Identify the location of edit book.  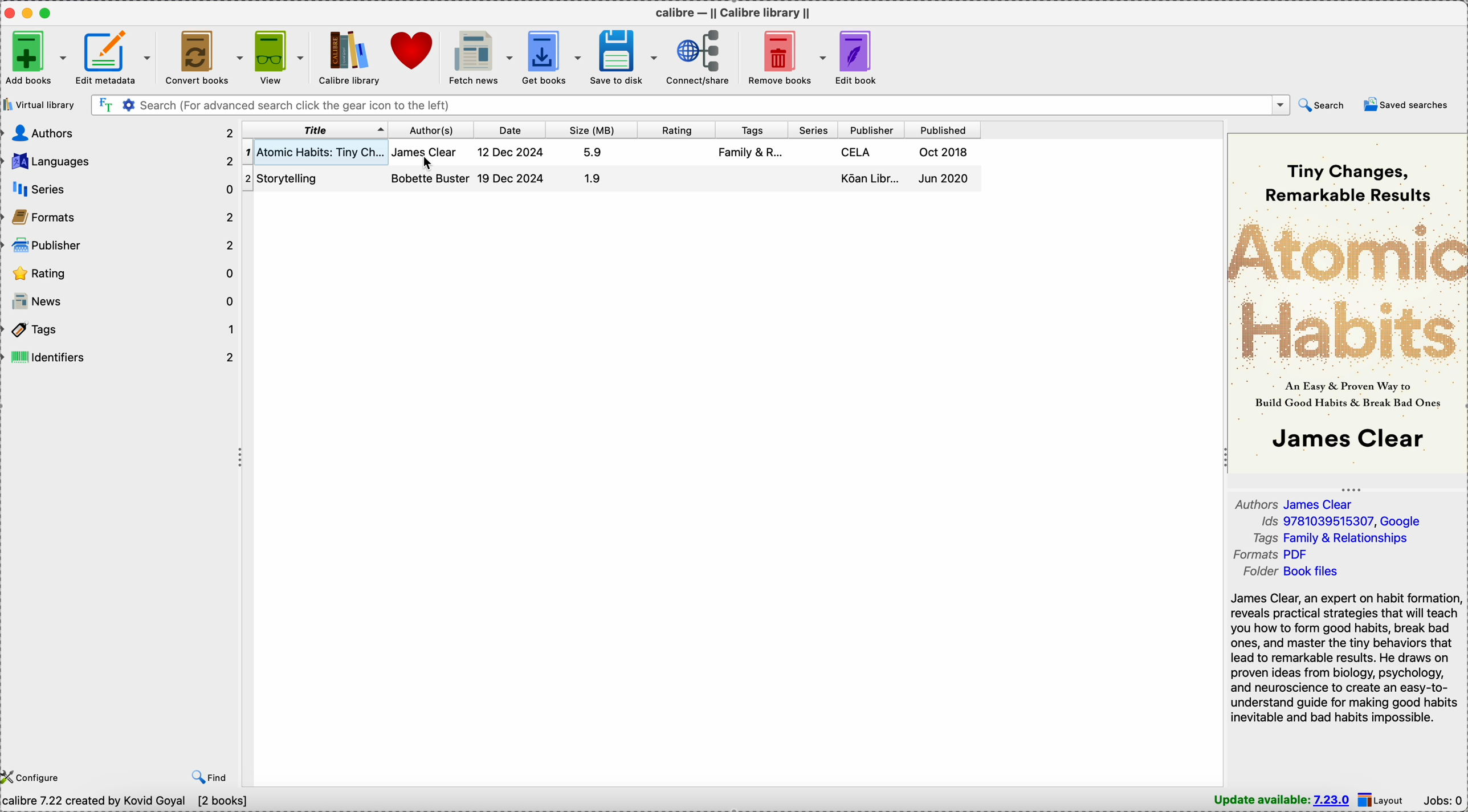
(861, 55).